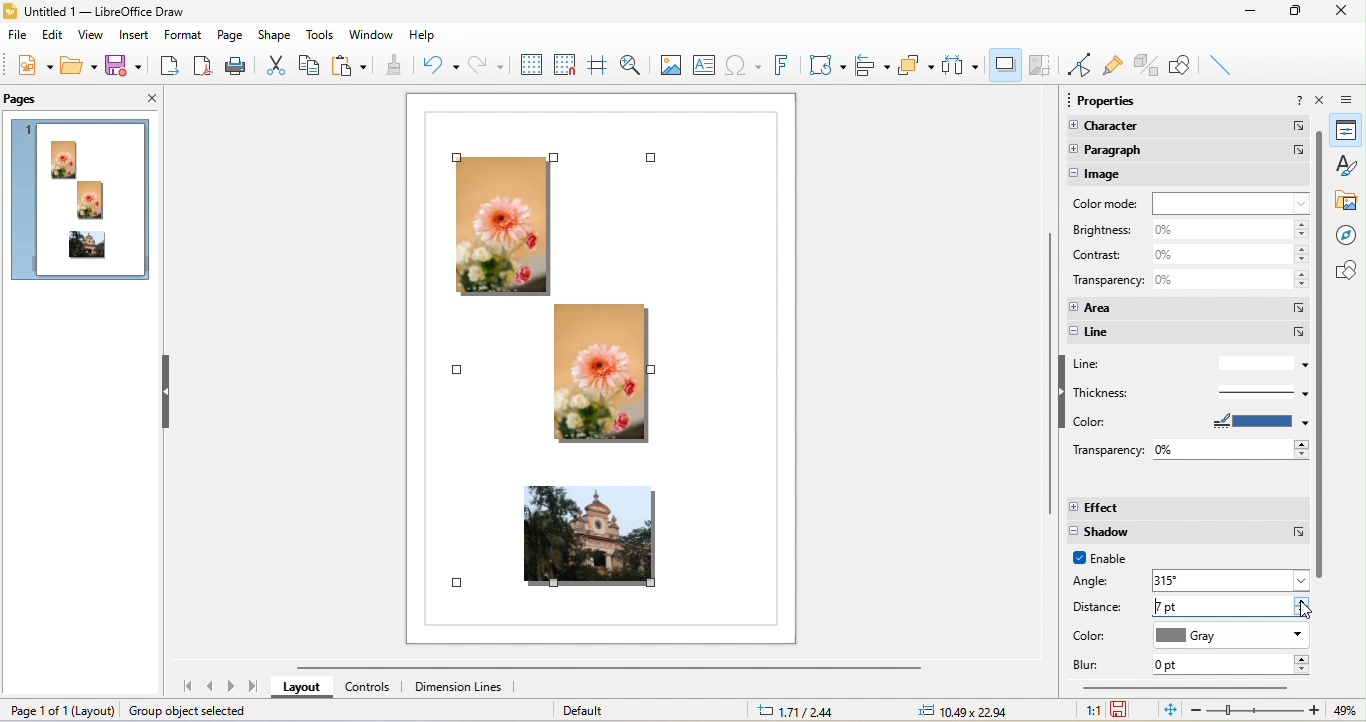 This screenshot has width=1366, height=722. What do you see at coordinates (801, 711) in the screenshot?
I see `1.71/2.44` at bounding box center [801, 711].